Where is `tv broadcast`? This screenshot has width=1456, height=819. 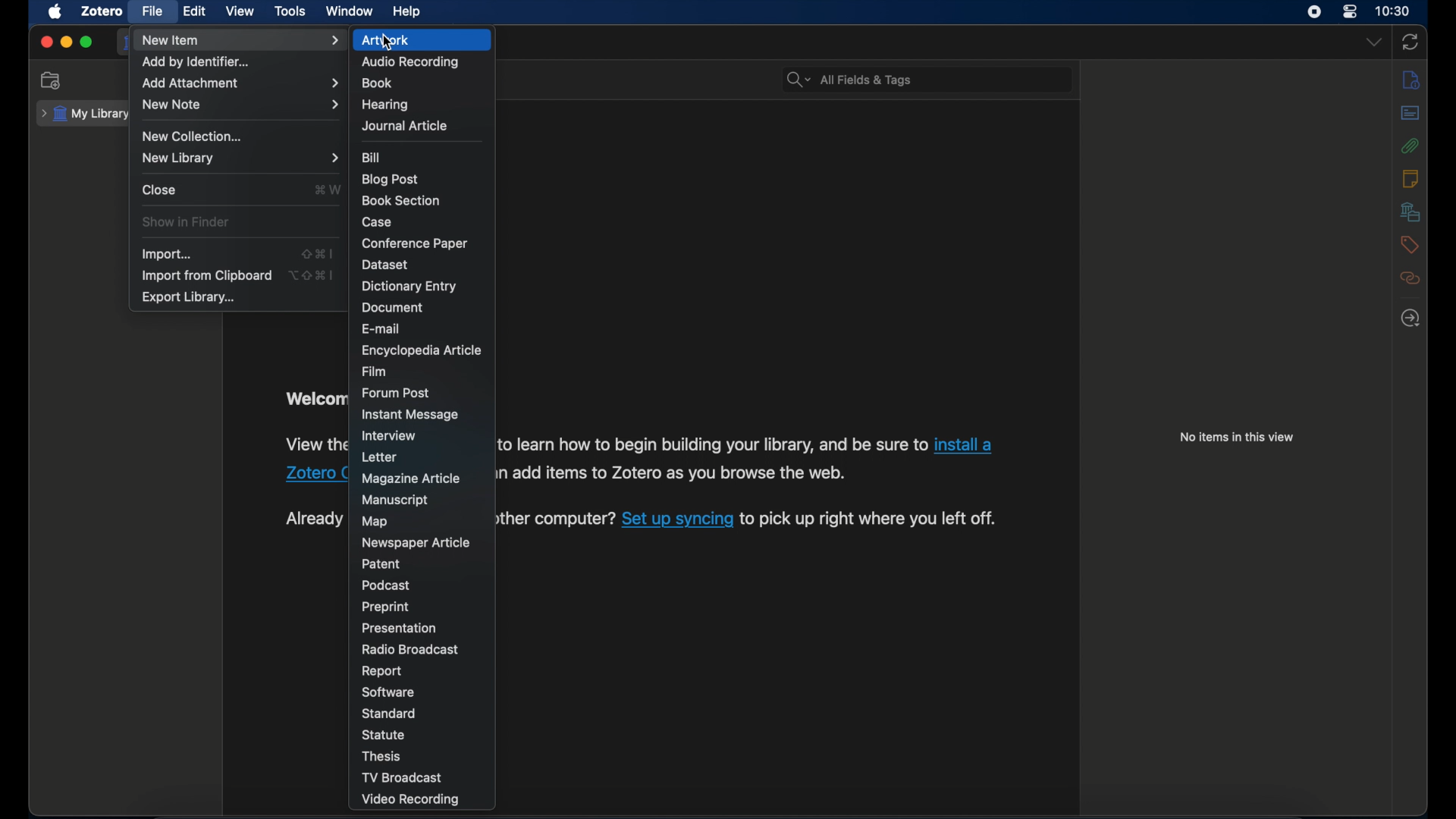 tv broadcast is located at coordinates (402, 777).